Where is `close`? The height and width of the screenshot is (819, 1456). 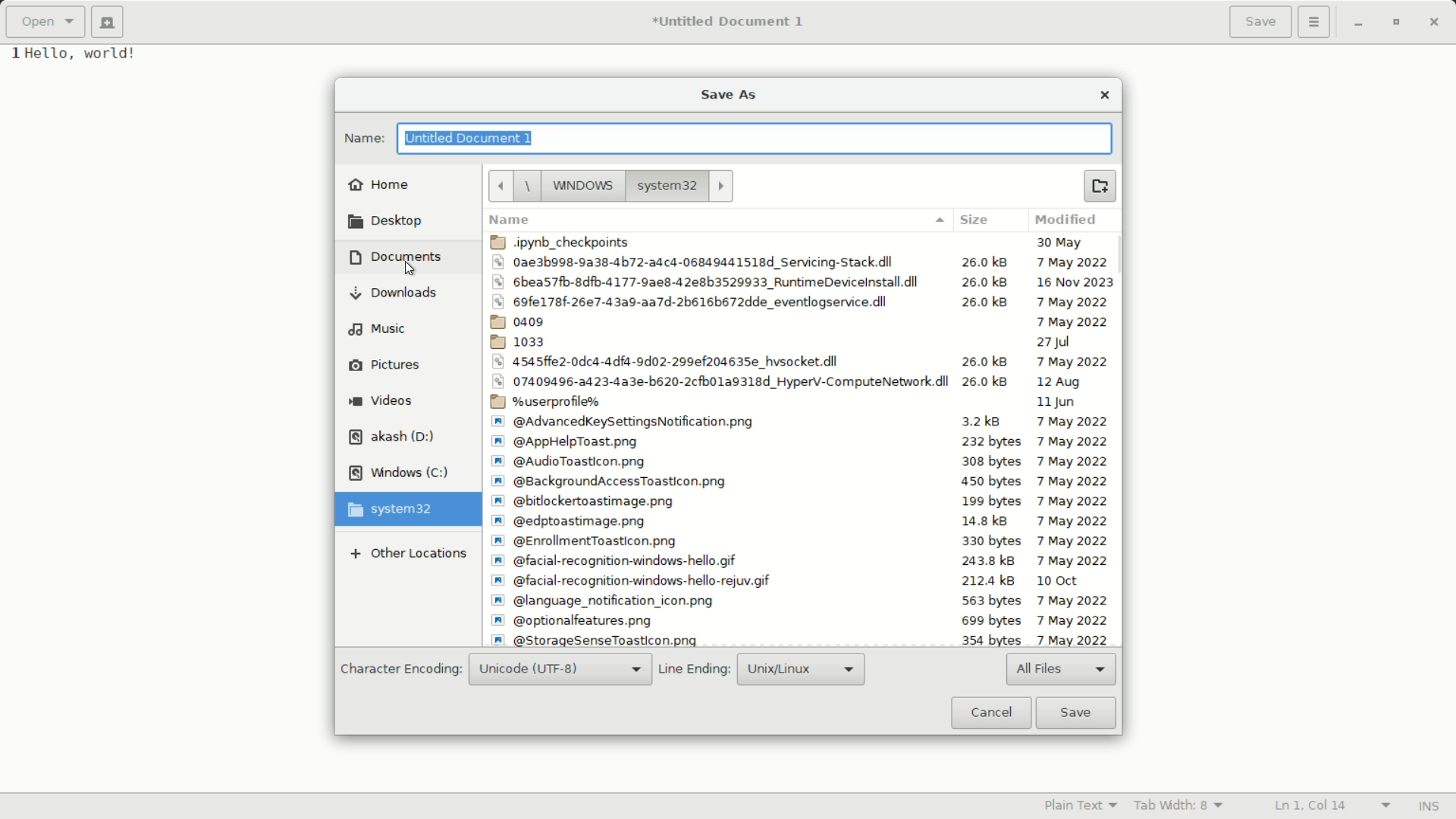 close is located at coordinates (1104, 96).